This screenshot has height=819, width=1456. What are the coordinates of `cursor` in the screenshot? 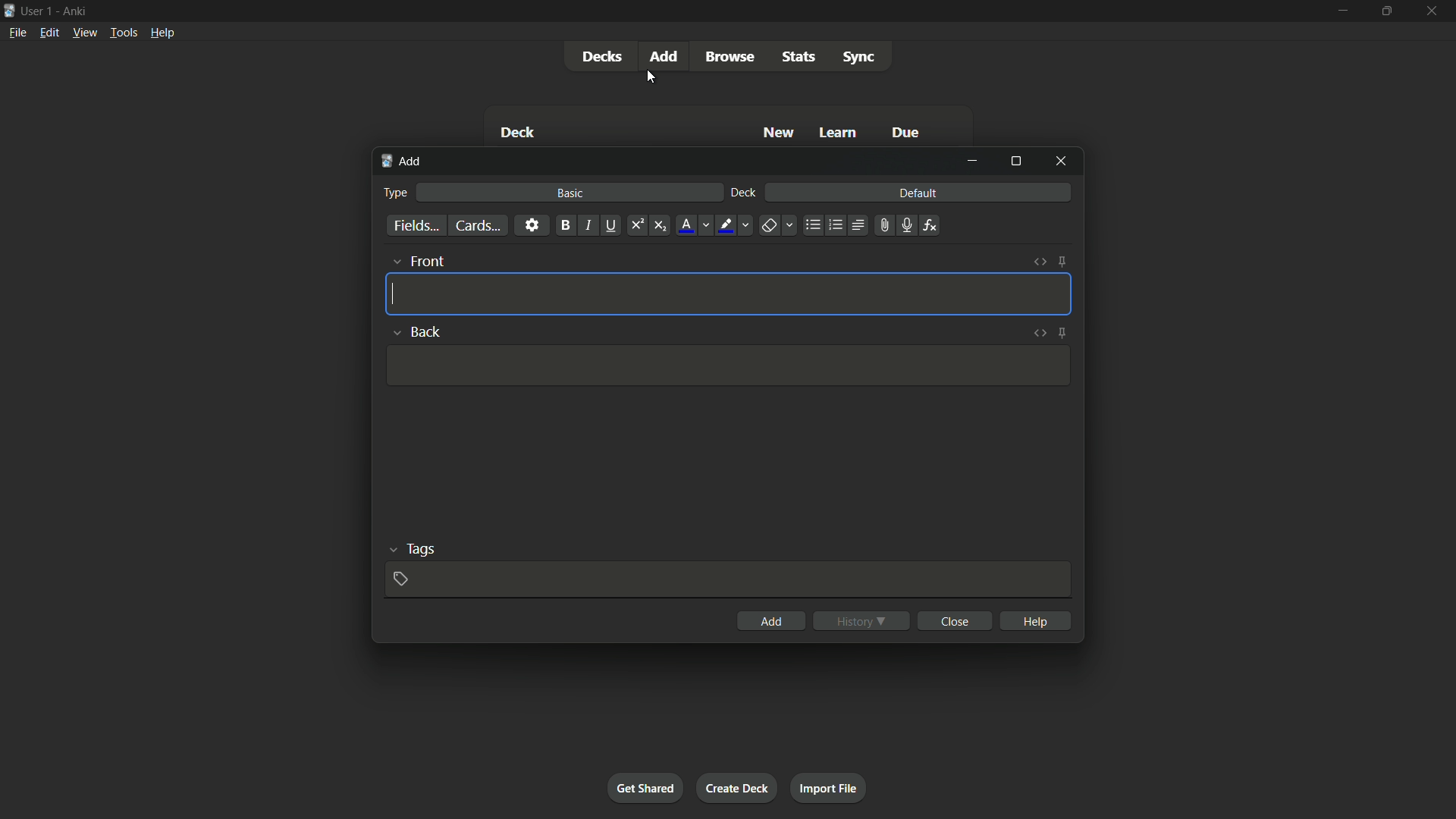 It's located at (651, 78).